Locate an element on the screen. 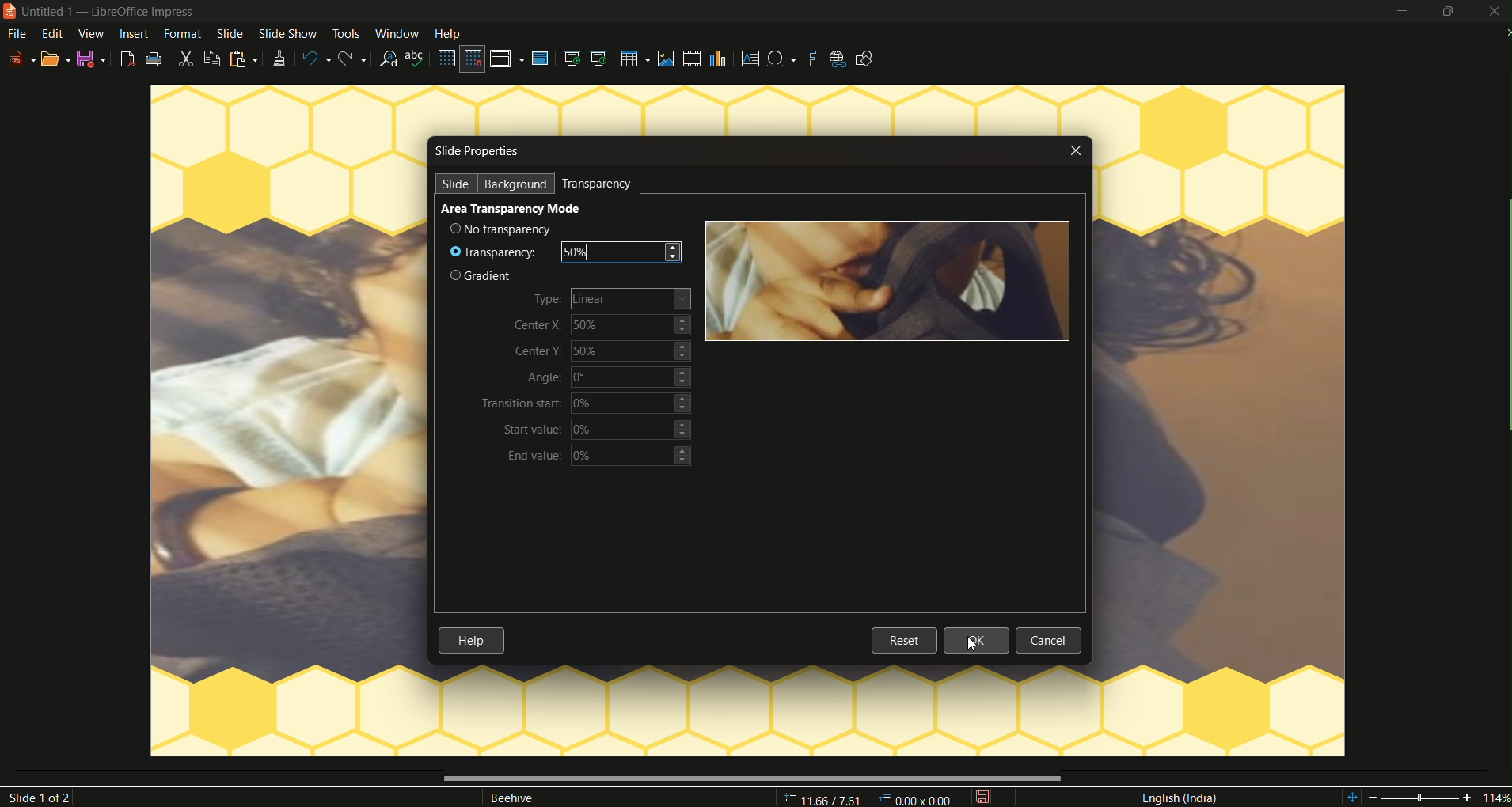 The height and width of the screenshot is (807, 1512). redo is located at coordinates (353, 59).